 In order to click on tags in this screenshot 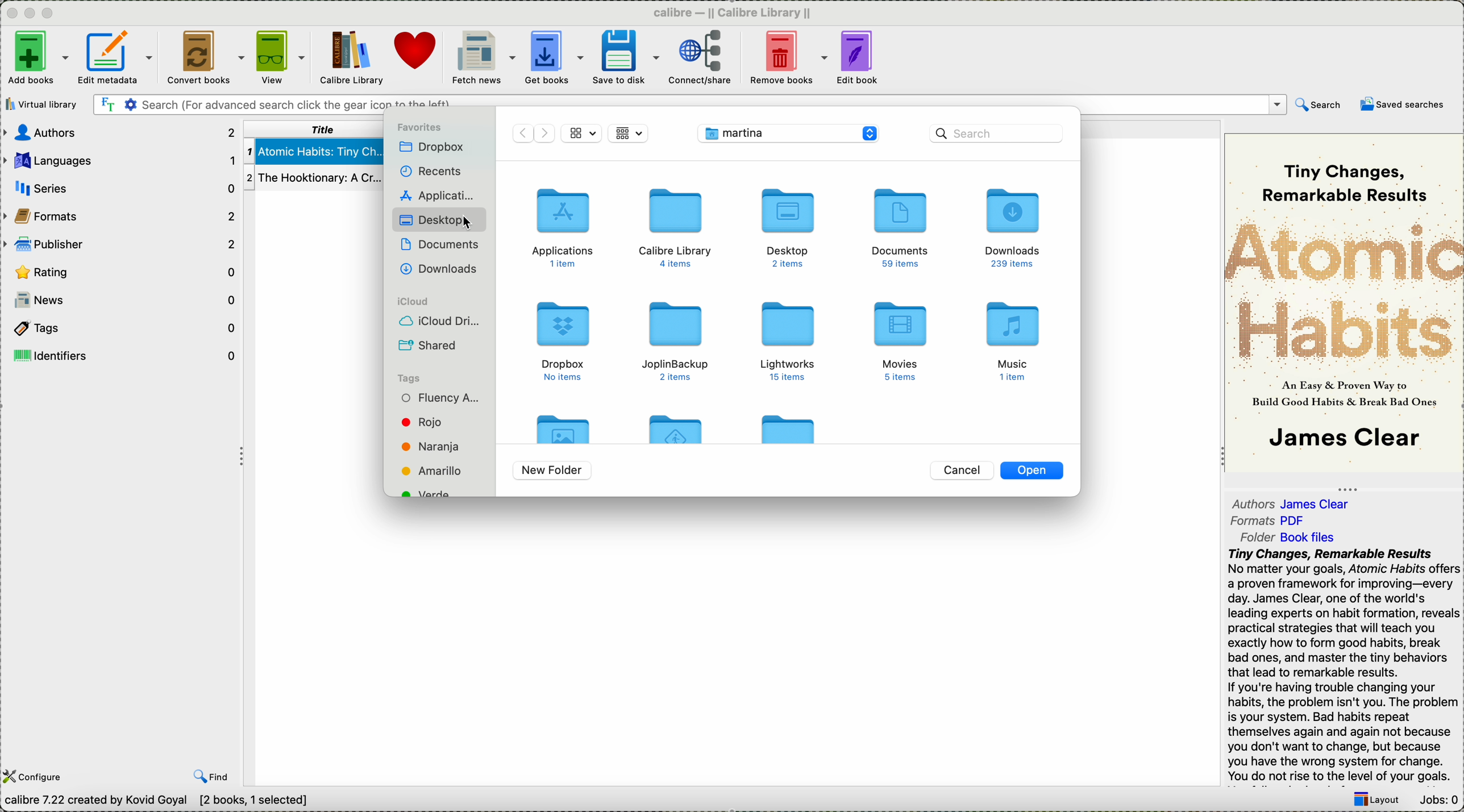, I will do `click(411, 377)`.